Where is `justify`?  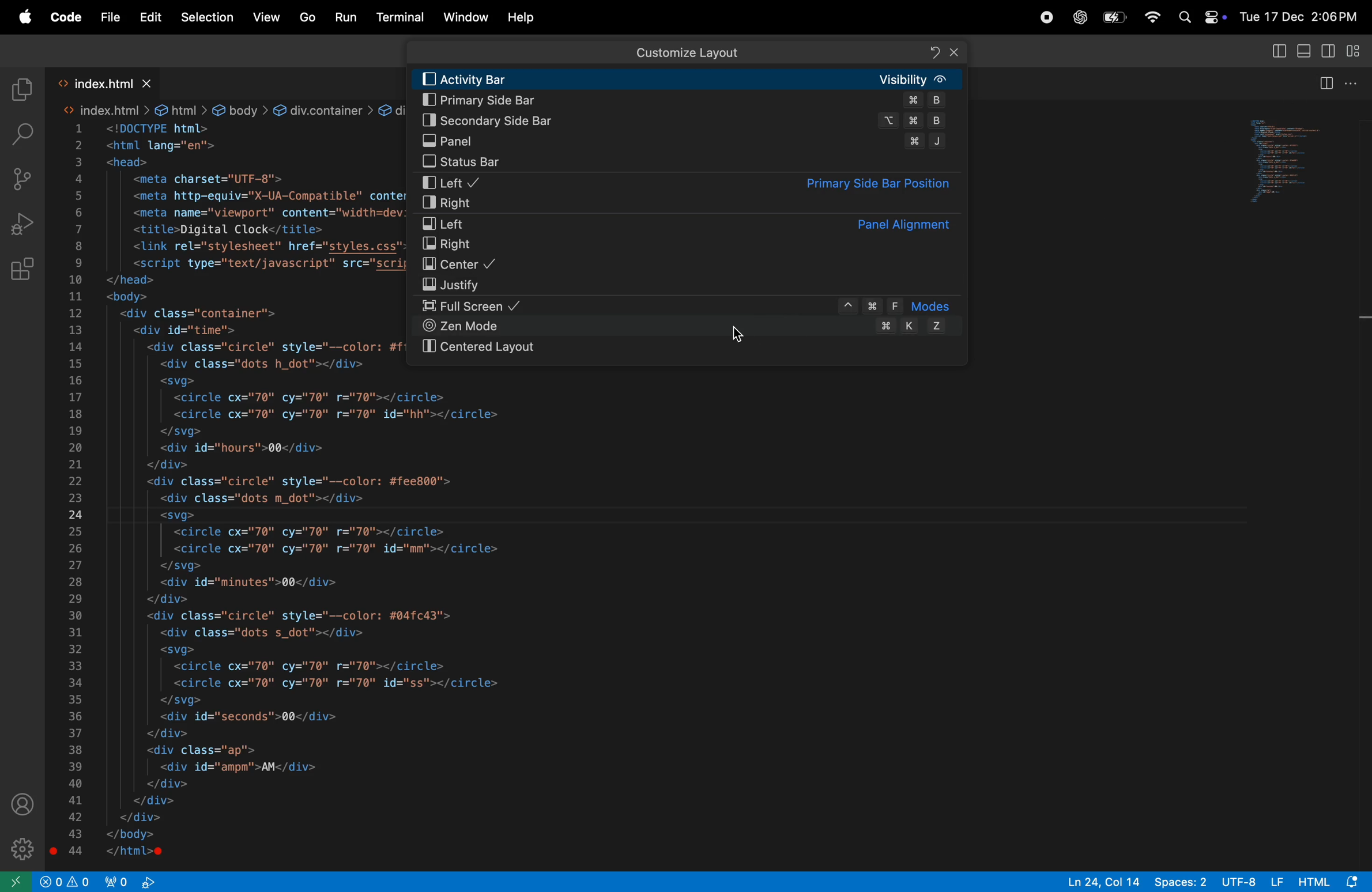
justify is located at coordinates (691, 285).